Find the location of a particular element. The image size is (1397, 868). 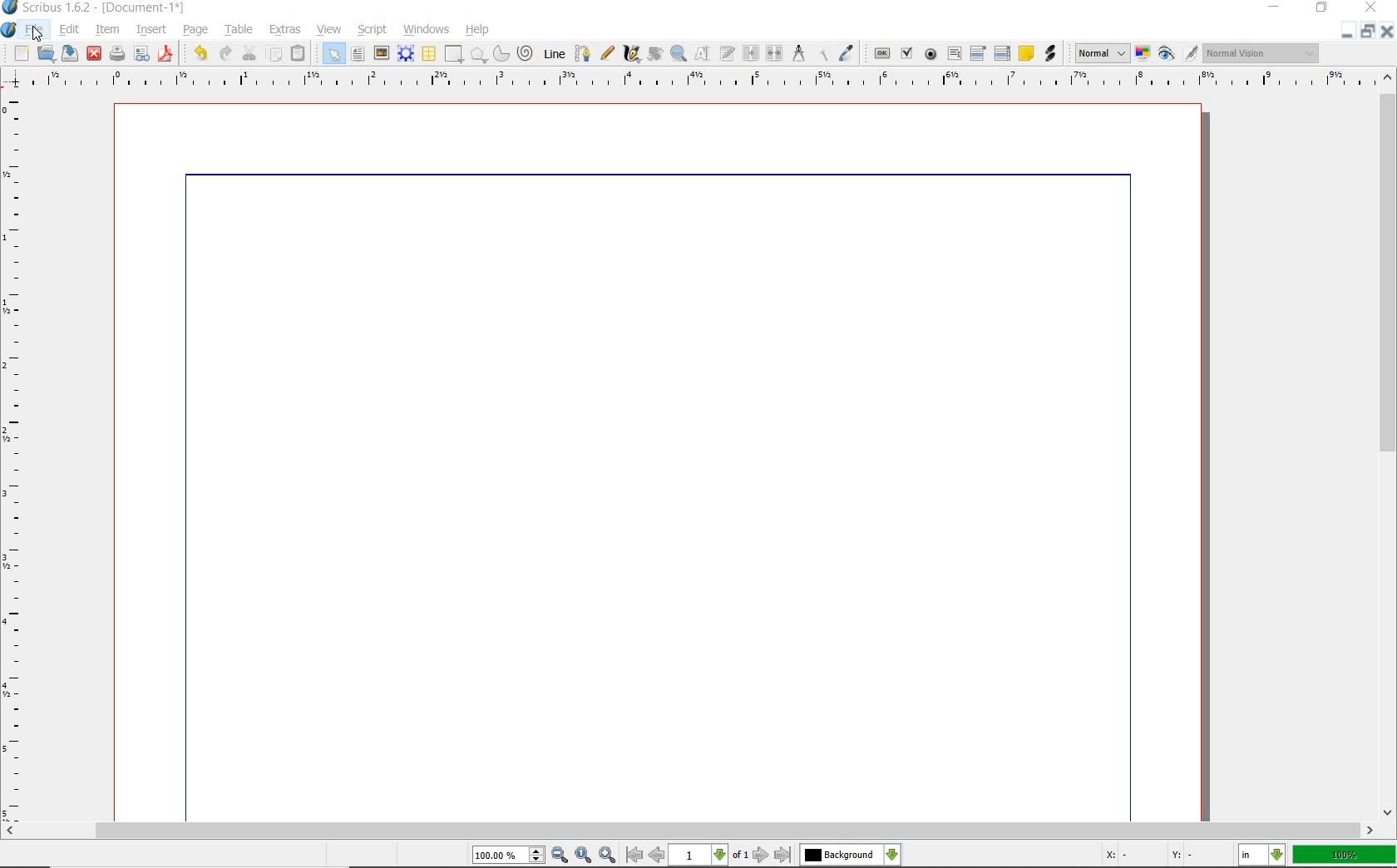

pdf check box is located at coordinates (908, 52).